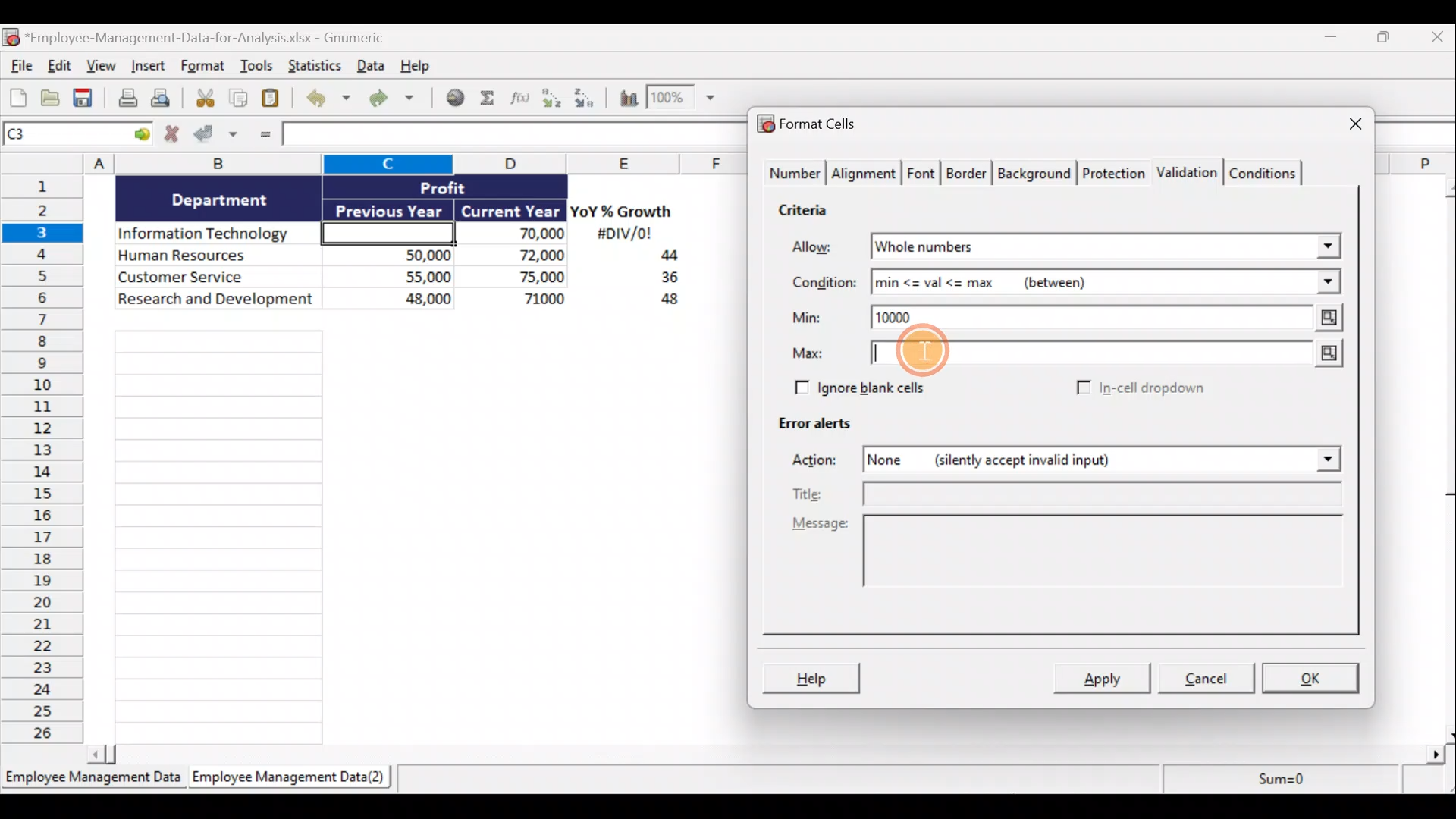 The image size is (1456, 819). I want to click on Allow drop down, so click(1325, 242).